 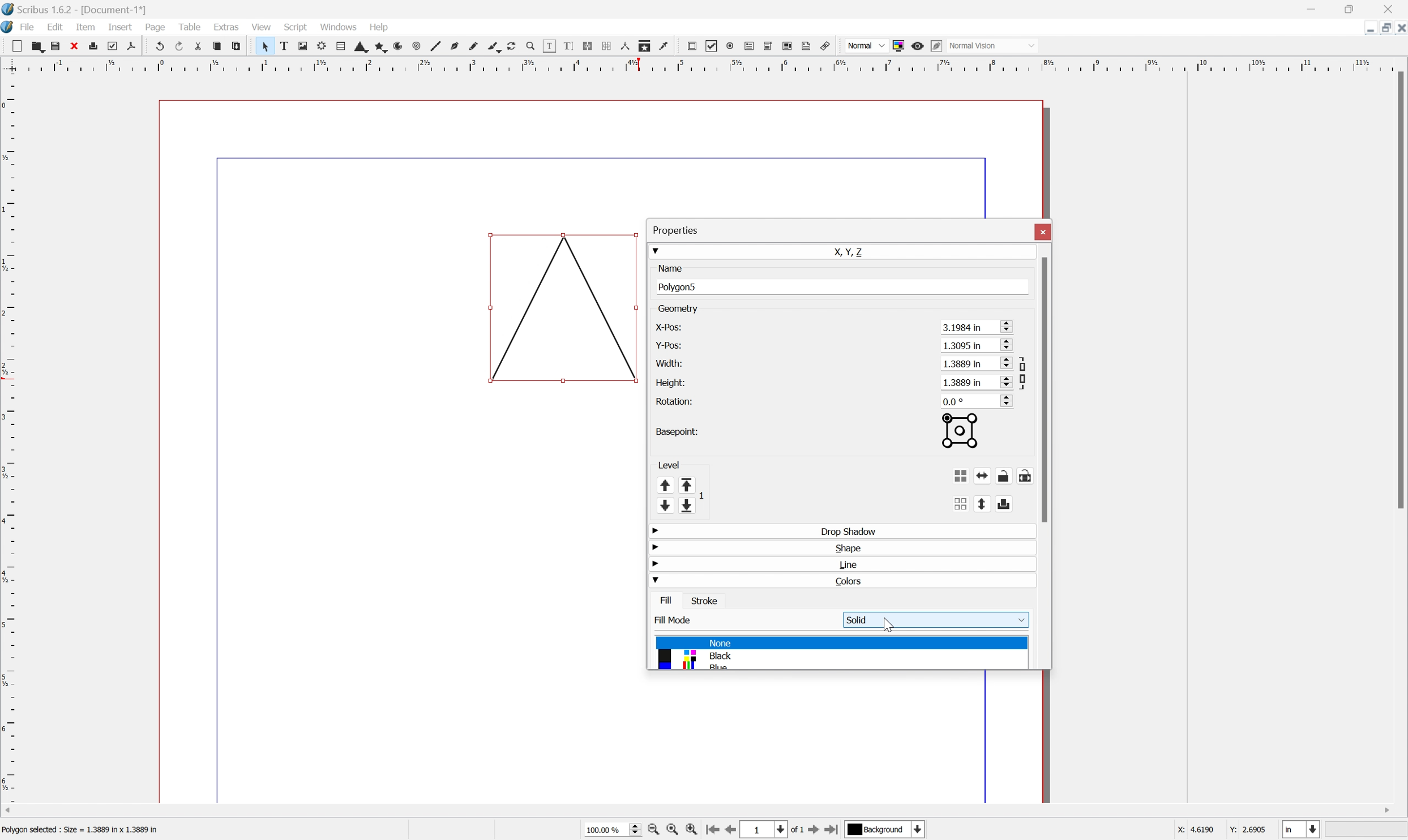 I want to click on Undo, so click(x=157, y=44).